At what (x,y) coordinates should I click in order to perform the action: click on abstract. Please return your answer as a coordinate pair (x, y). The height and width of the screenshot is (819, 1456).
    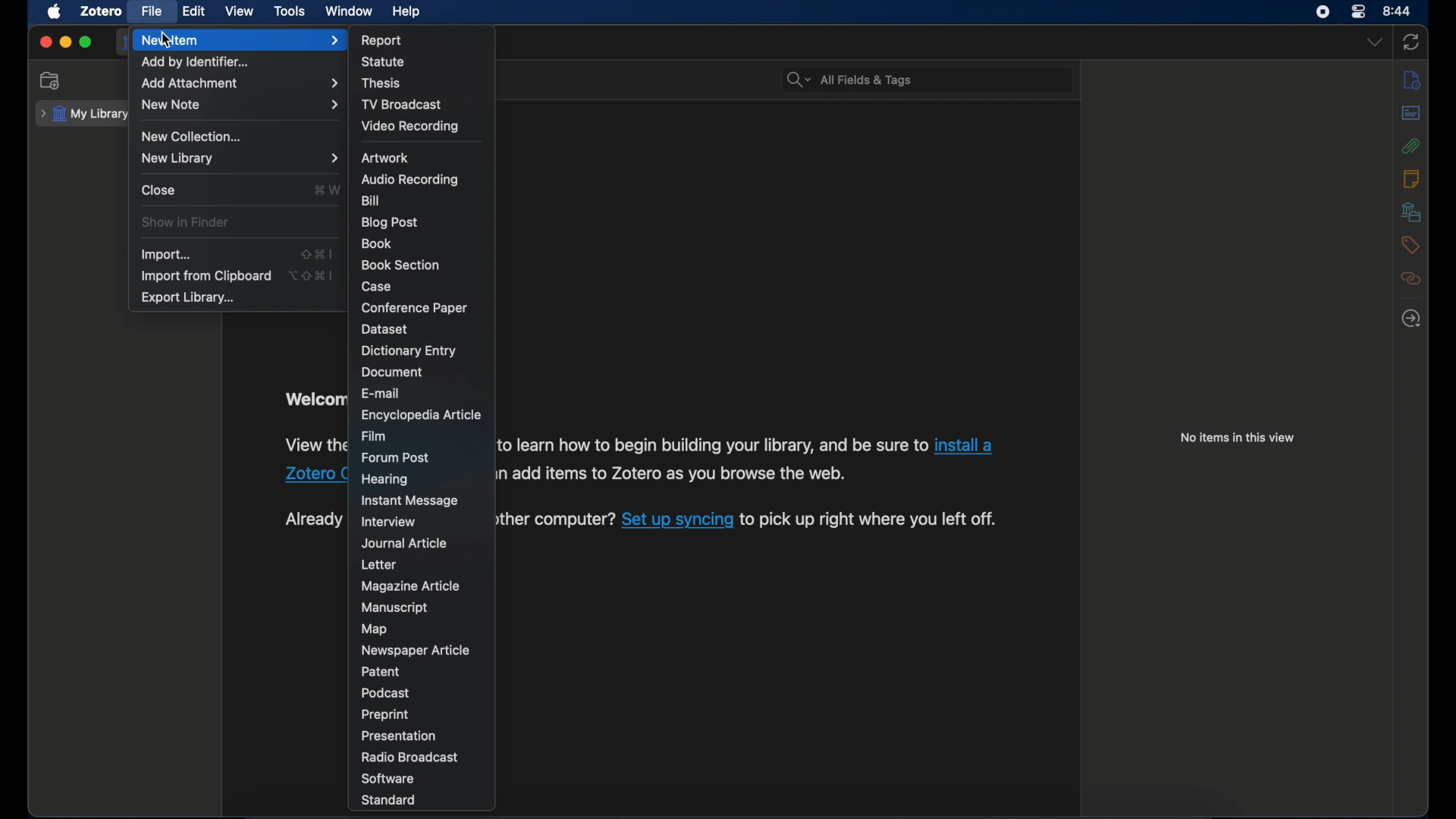
    Looking at the image, I should click on (1411, 114).